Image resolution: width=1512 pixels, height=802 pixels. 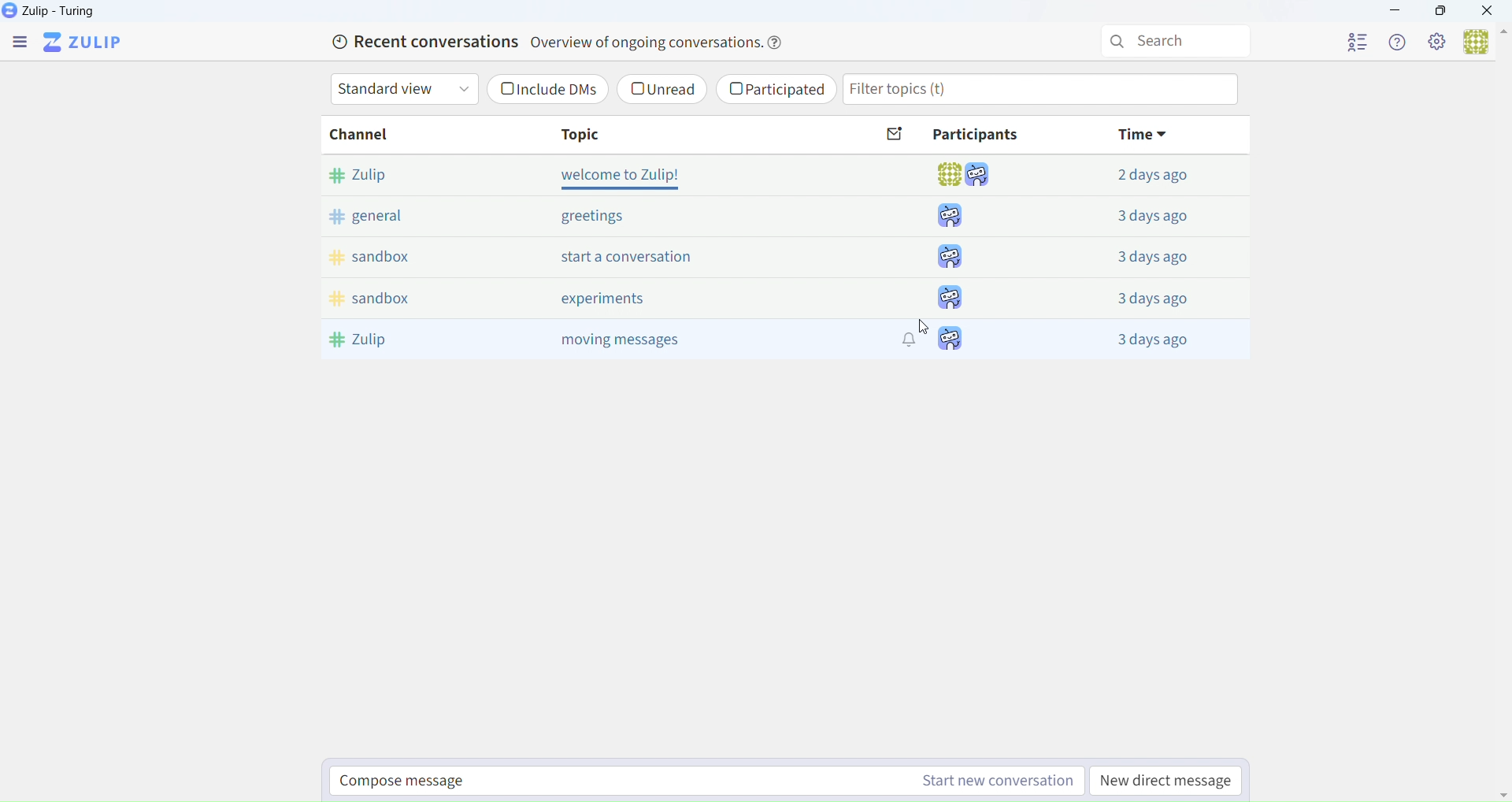 I want to click on Help, so click(x=1395, y=43).